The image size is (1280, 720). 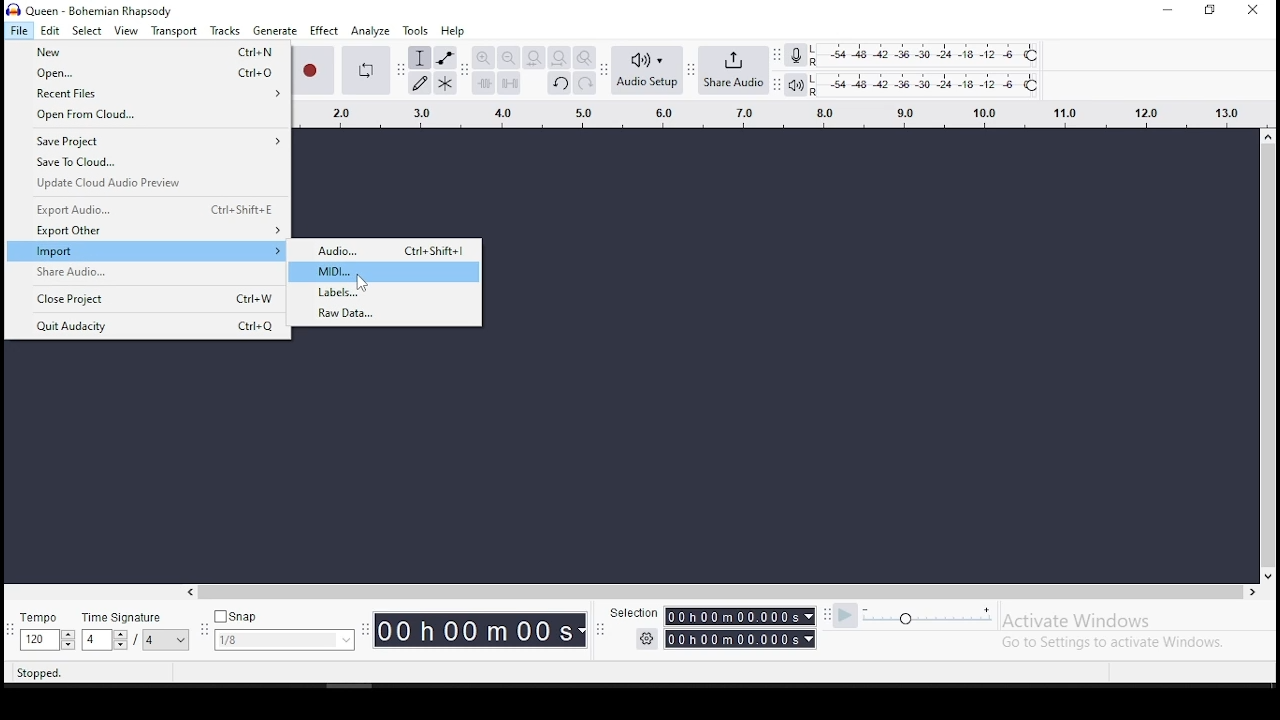 I want to click on share audio, so click(x=147, y=273).